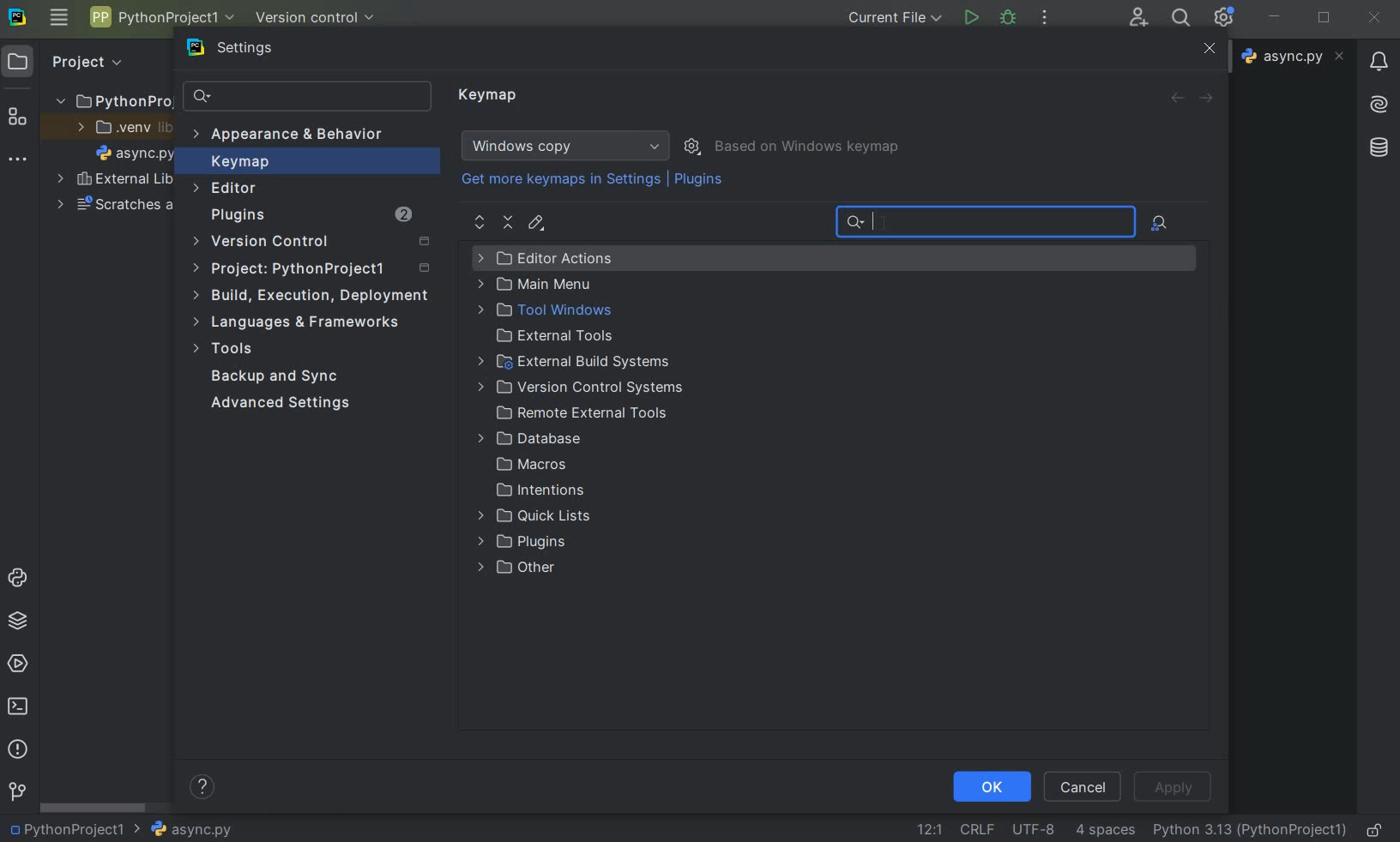 This screenshot has width=1400, height=842. What do you see at coordinates (1377, 56) in the screenshot?
I see `Notifications` at bounding box center [1377, 56].